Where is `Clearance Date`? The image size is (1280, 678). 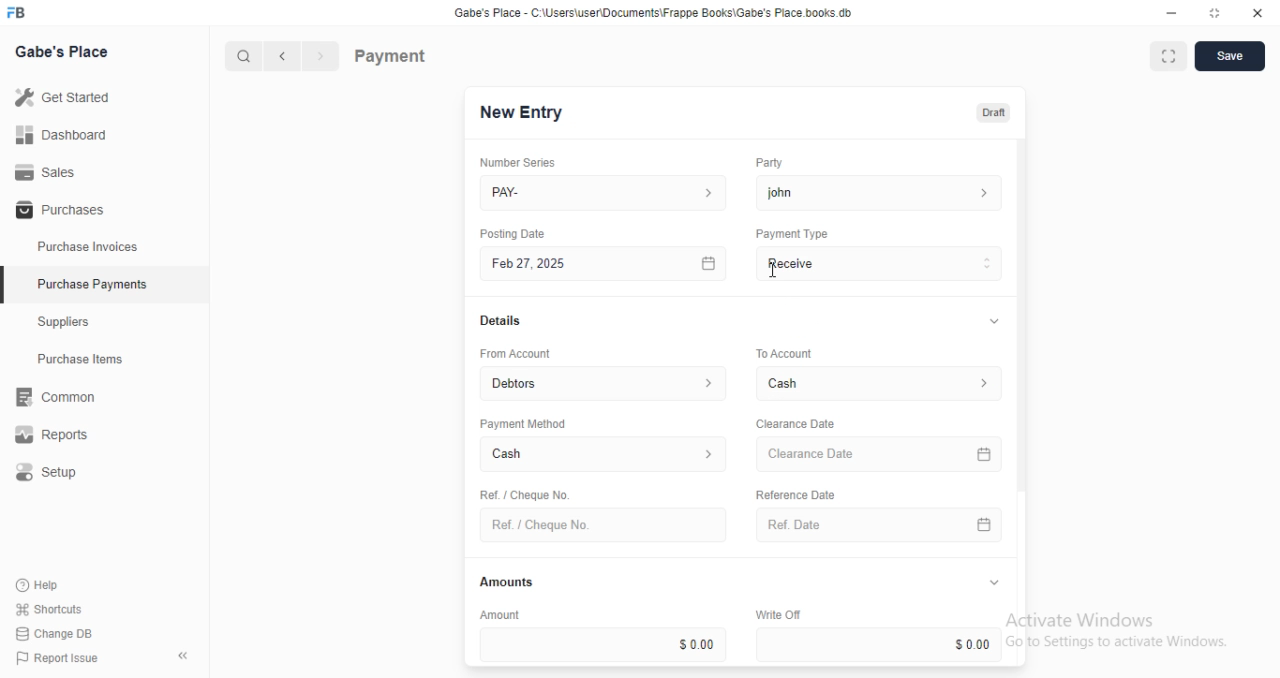
Clearance Date is located at coordinates (882, 455).